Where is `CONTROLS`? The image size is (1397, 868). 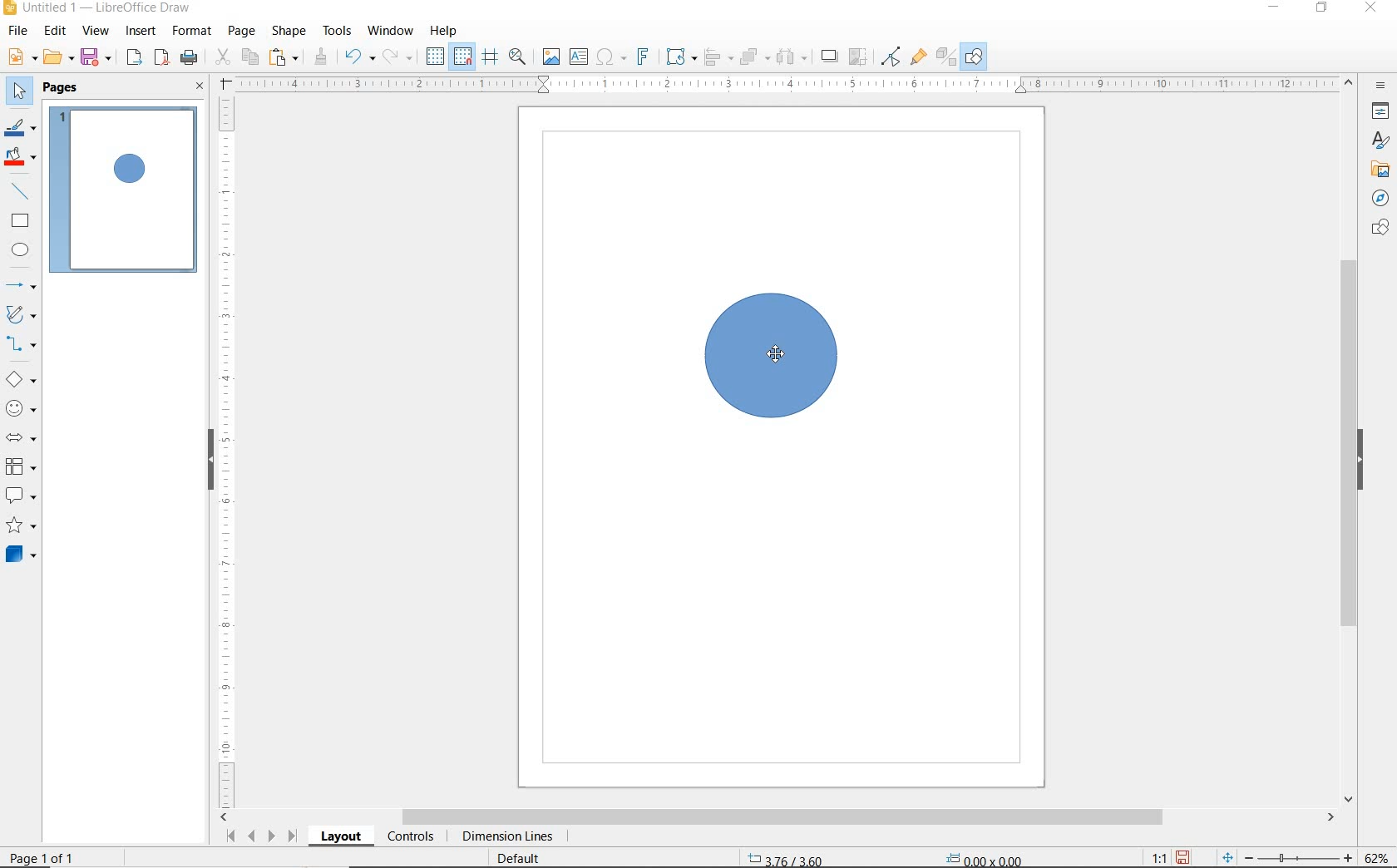 CONTROLS is located at coordinates (412, 837).